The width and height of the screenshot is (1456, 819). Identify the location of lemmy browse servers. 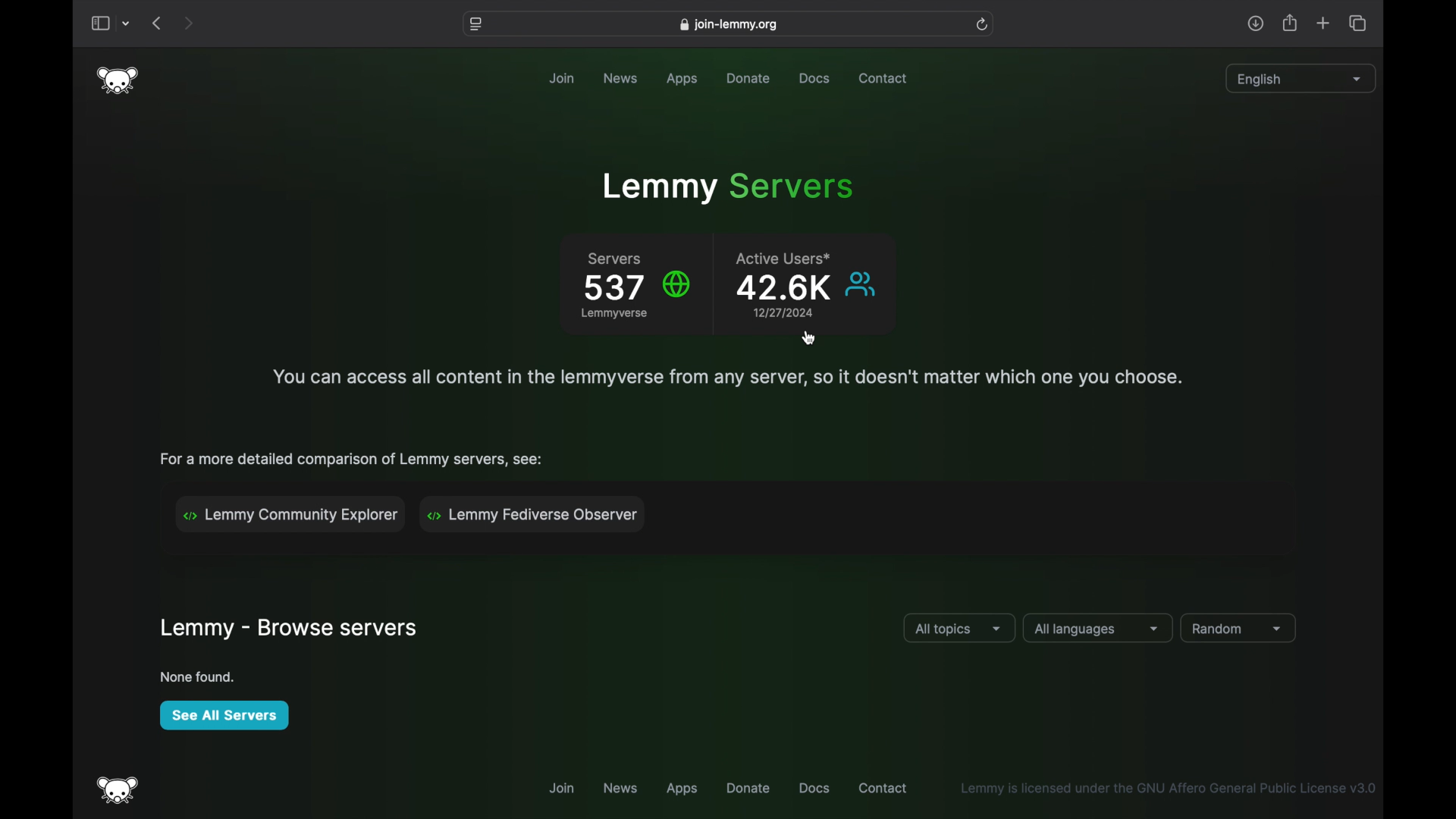
(287, 629).